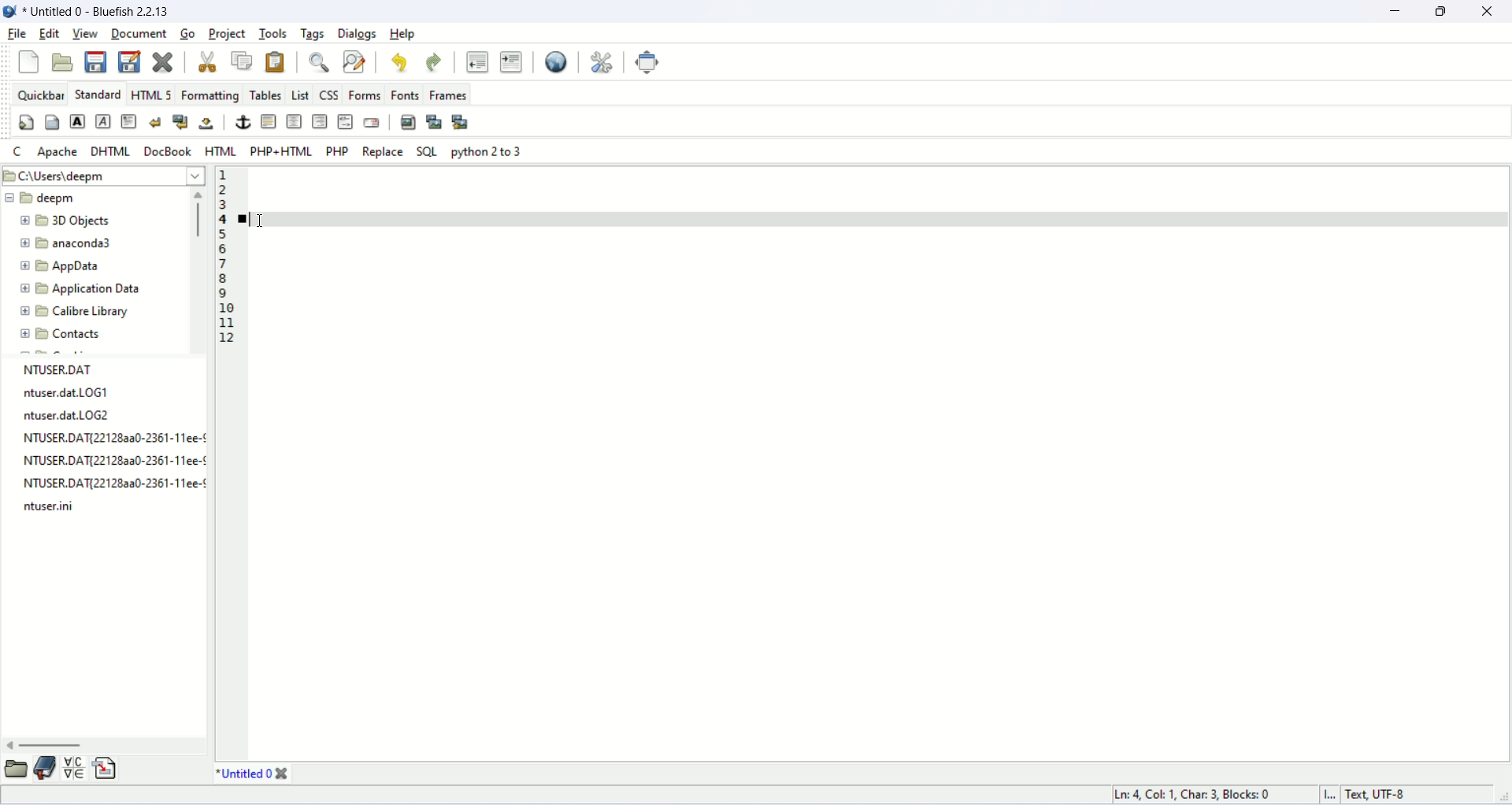 The width and height of the screenshot is (1512, 805). I want to click on save as, so click(130, 61).